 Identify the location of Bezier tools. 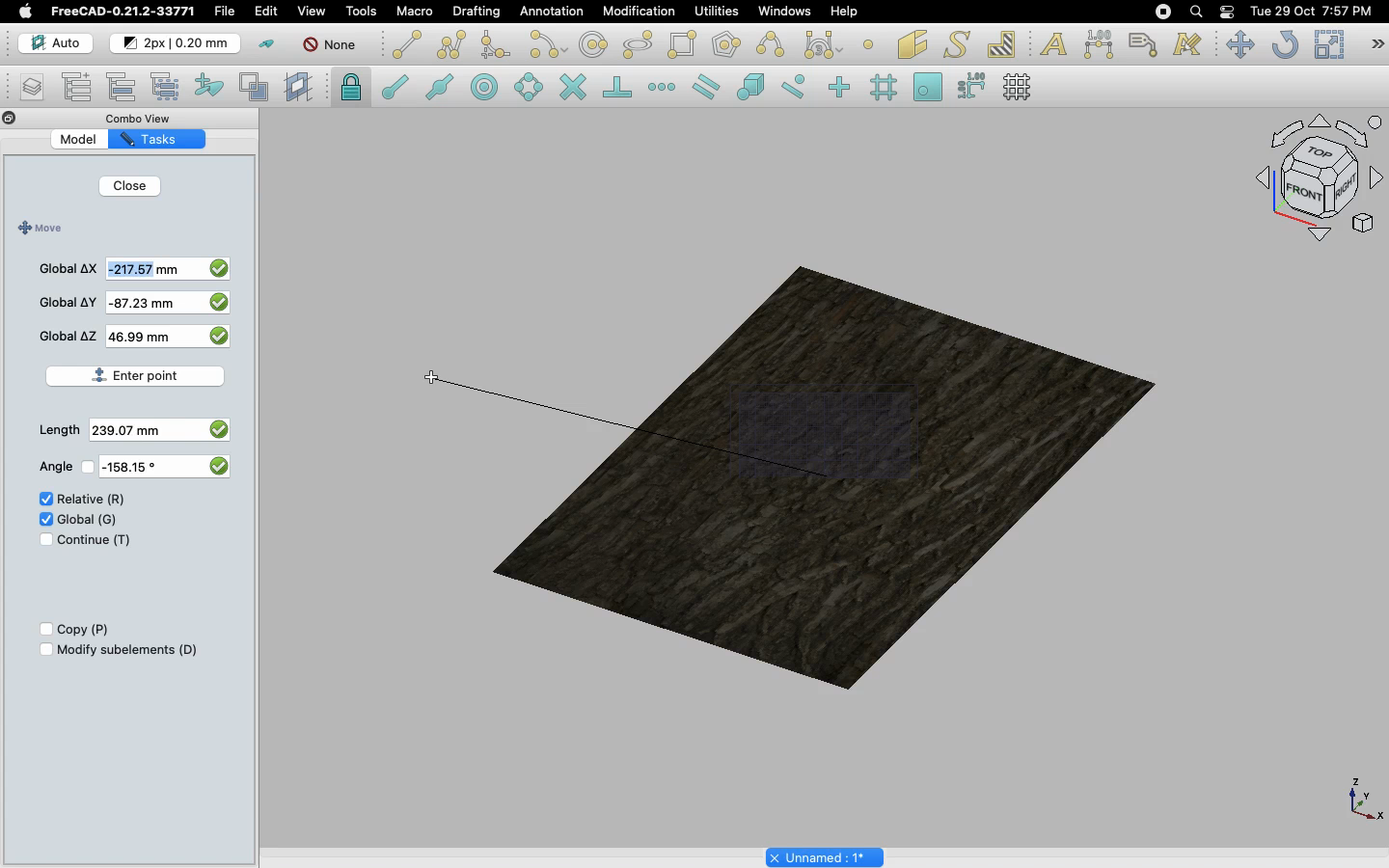
(826, 44).